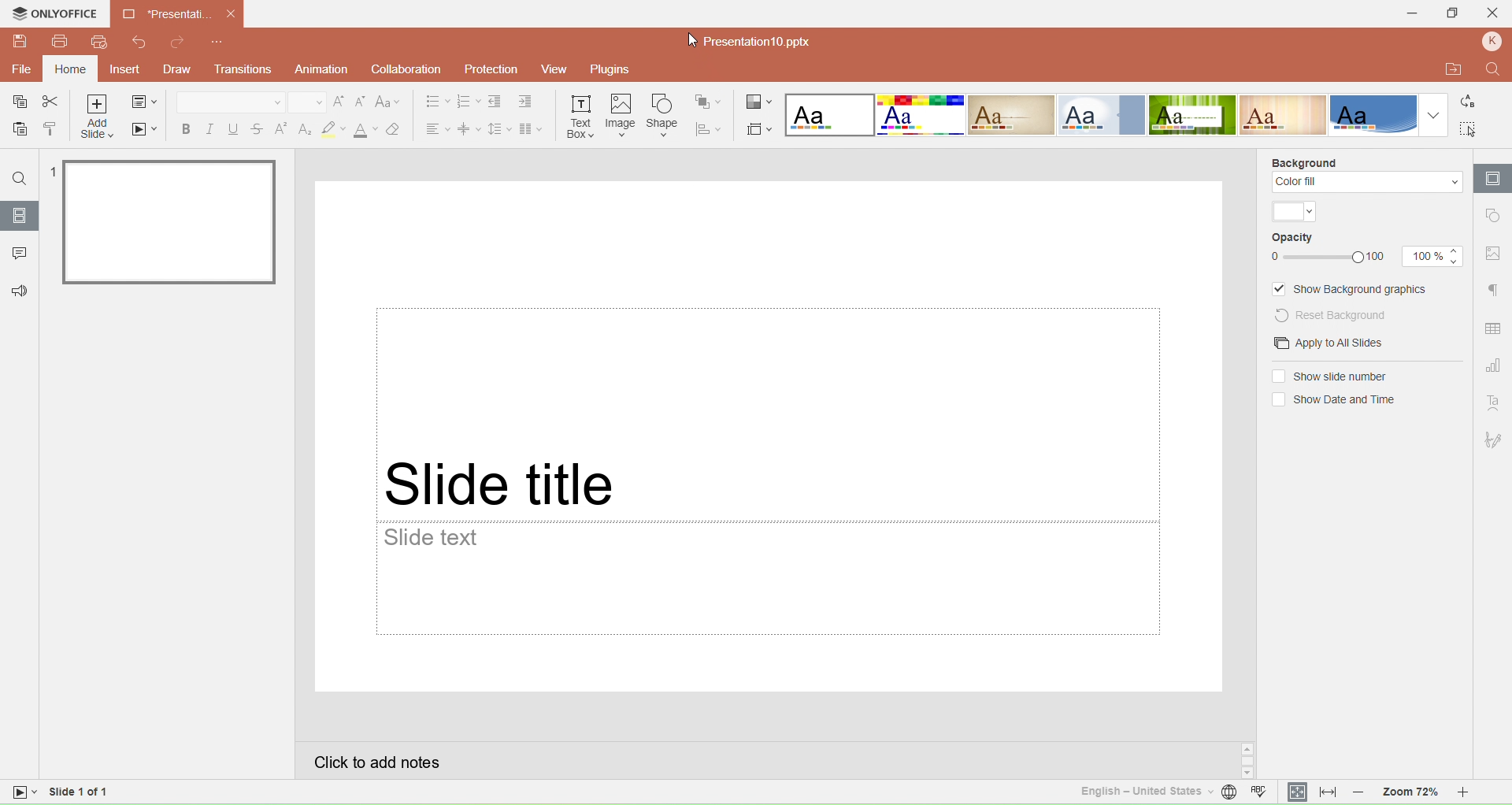 This screenshot has height=805, width=1512. What do you see at coordinates (1455, 14) in the screenshot?
I see `Maximize` at bounding box center [1455, 14].